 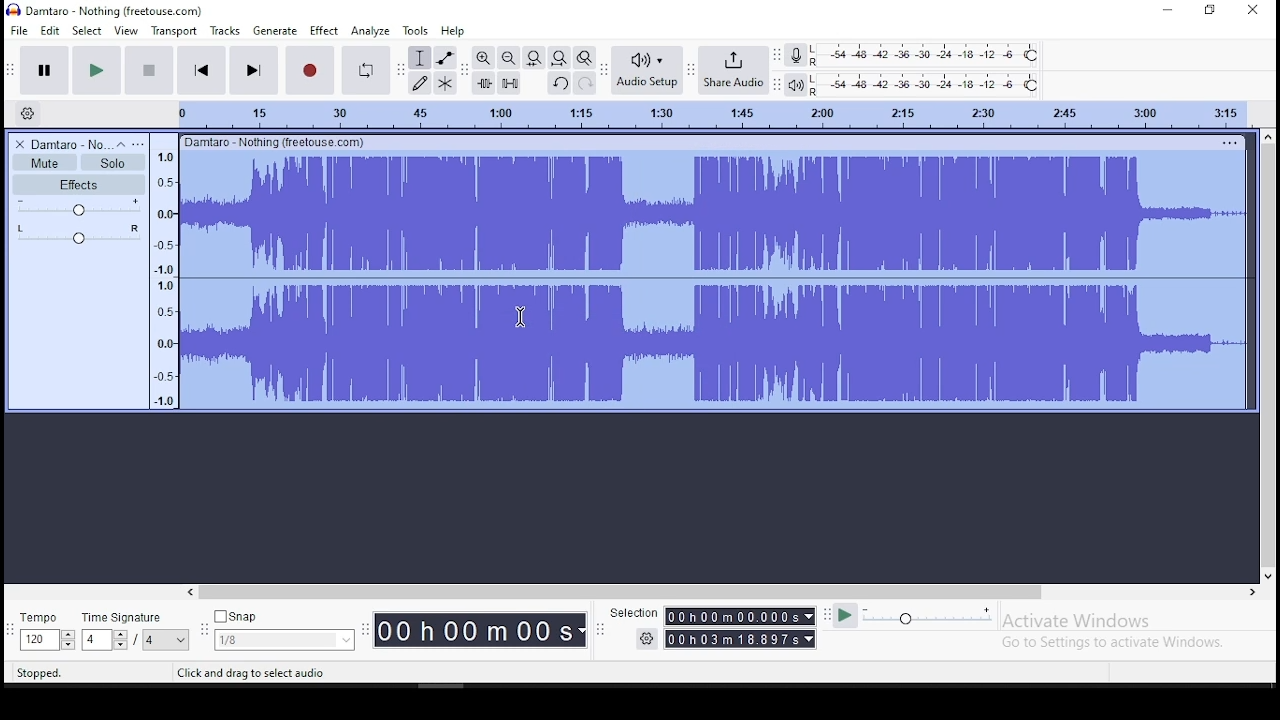 What do you see at coordinates (701, 114) in the screenshot?
I see `timeline` at bounding box center [701, 114].